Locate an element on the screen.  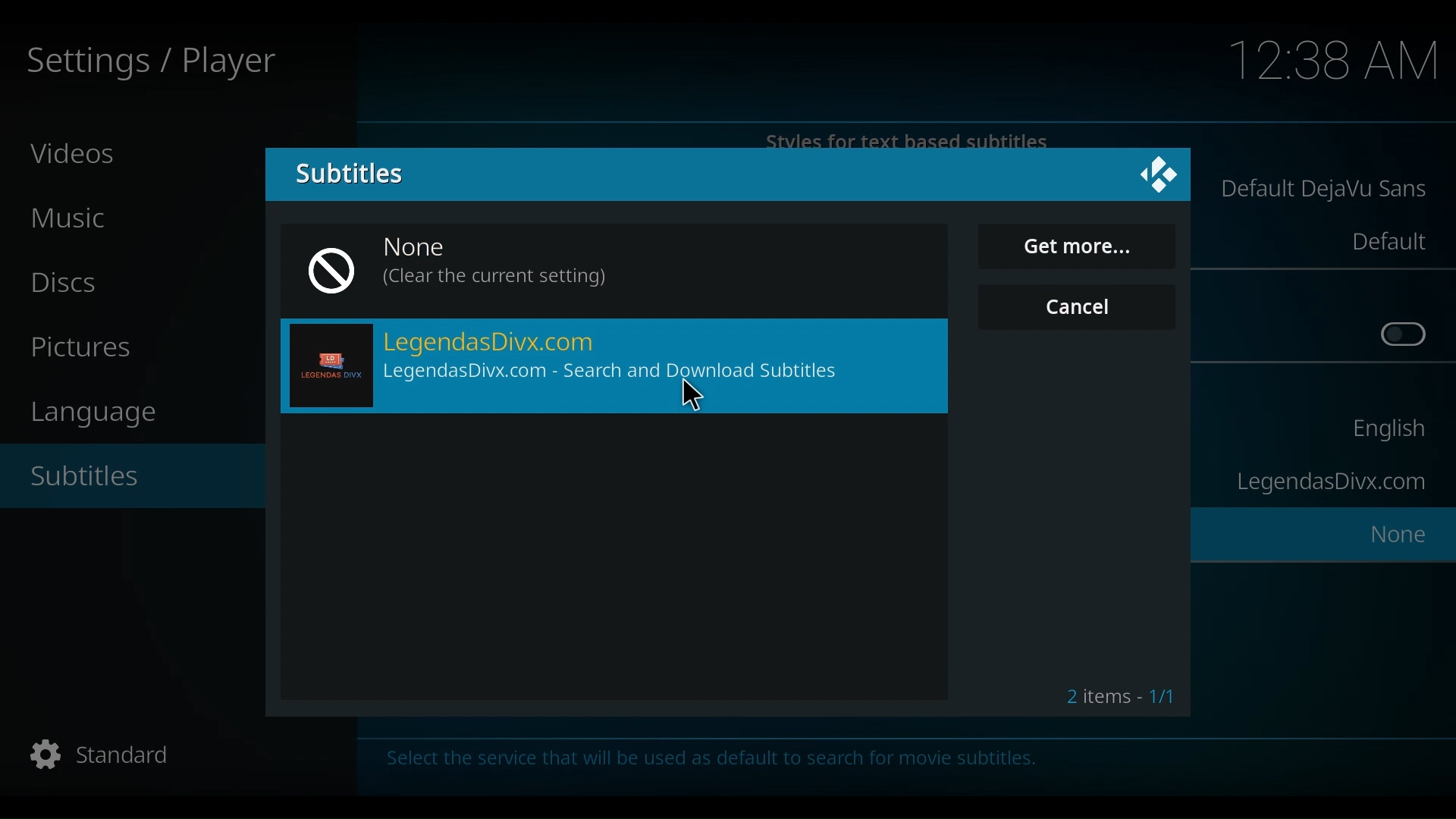
Cursor is located at coordinates (1099, 250).